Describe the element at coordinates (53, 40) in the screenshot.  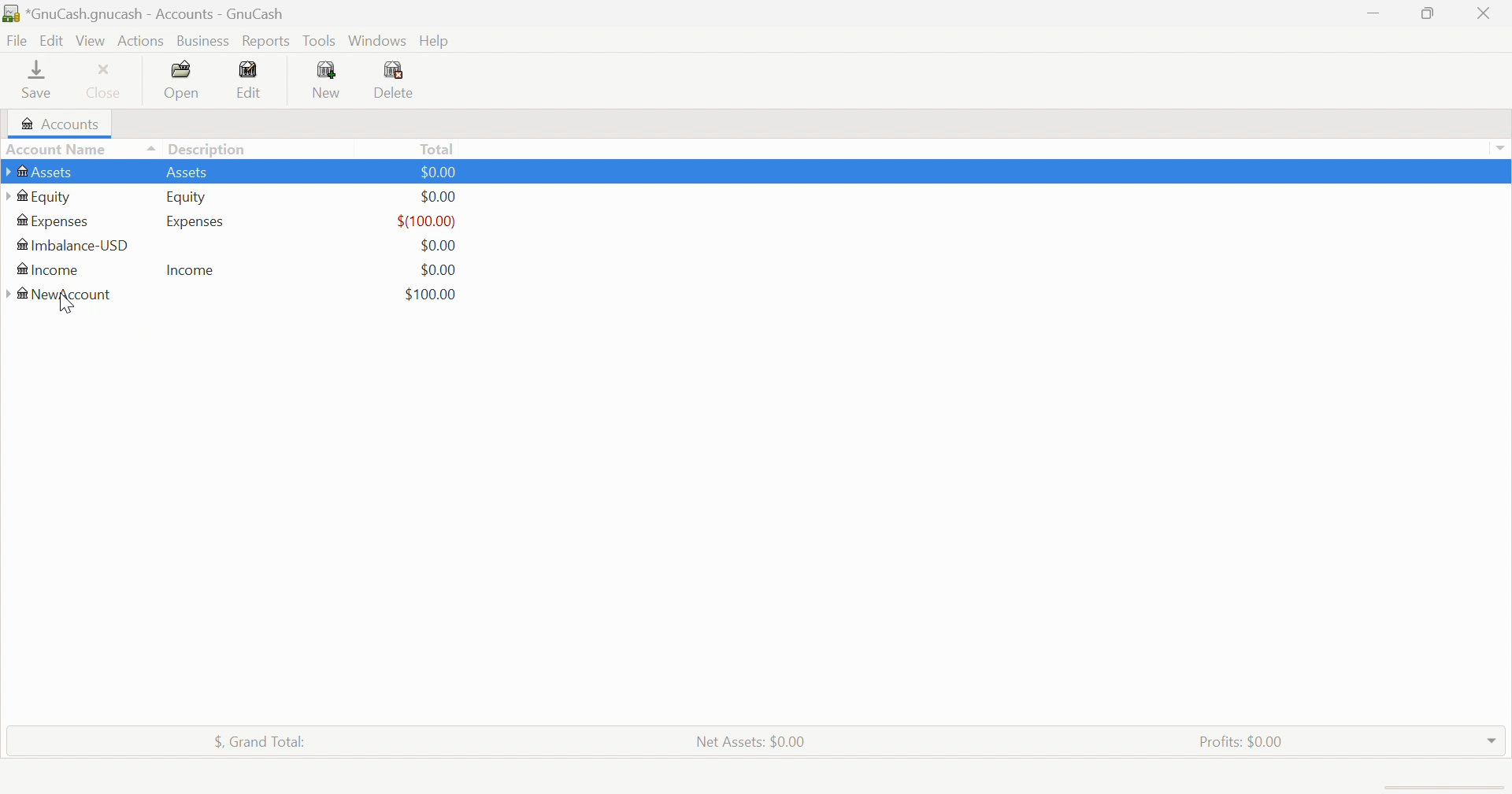
I see `Edit` at that location.